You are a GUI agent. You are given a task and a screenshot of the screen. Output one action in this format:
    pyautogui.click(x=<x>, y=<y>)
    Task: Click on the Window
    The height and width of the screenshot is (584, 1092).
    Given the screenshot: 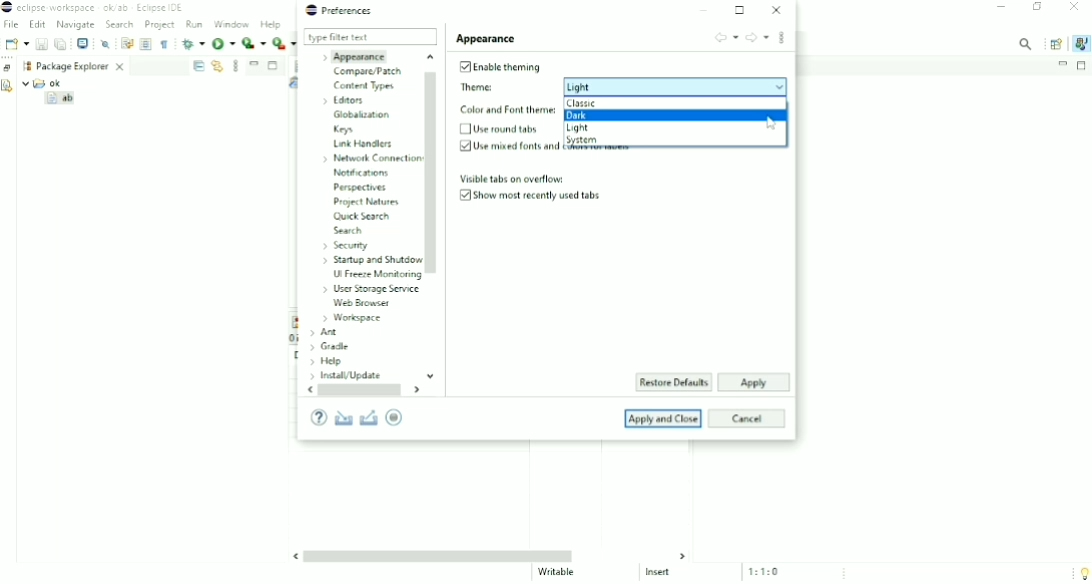 What is the action you would take?
    pyautogui.click(x=233, y=24)
    